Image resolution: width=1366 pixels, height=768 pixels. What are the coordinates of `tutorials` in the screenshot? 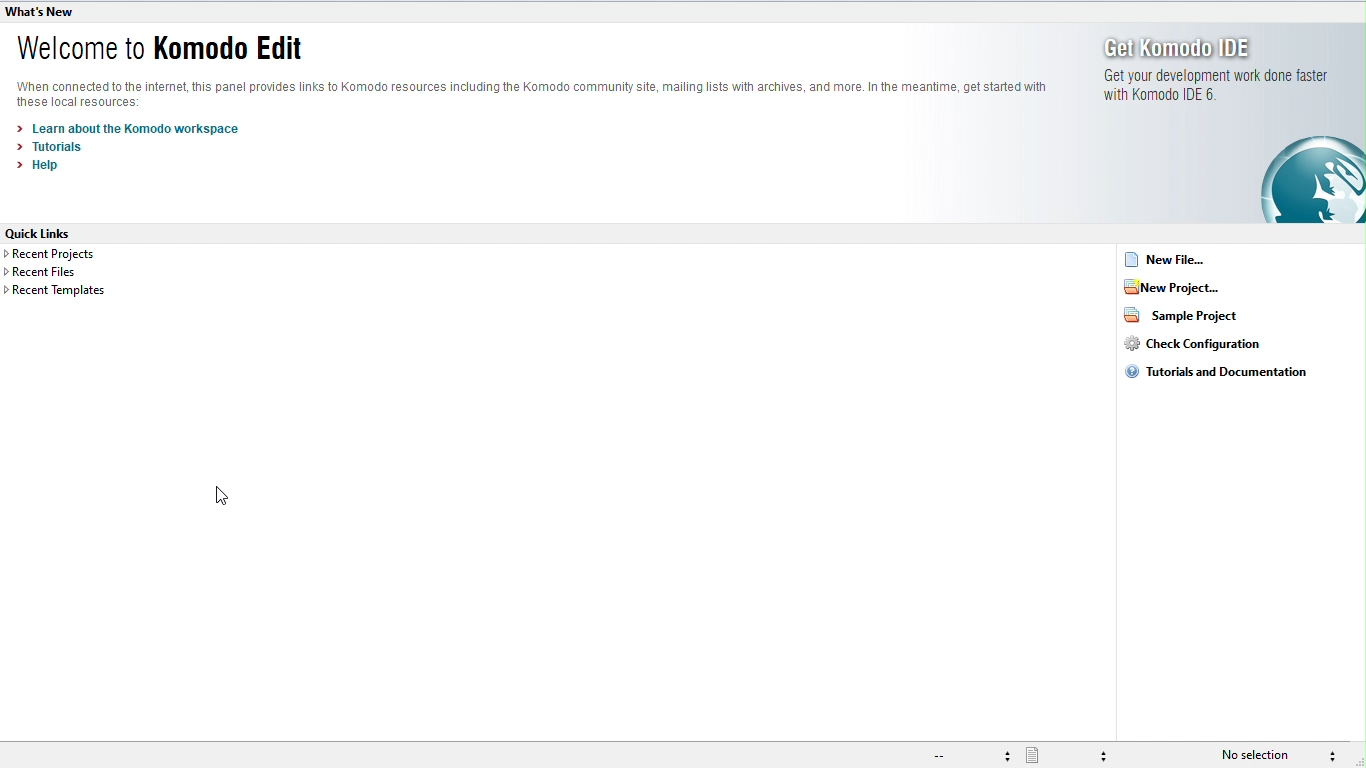 It's located at (57, 148).